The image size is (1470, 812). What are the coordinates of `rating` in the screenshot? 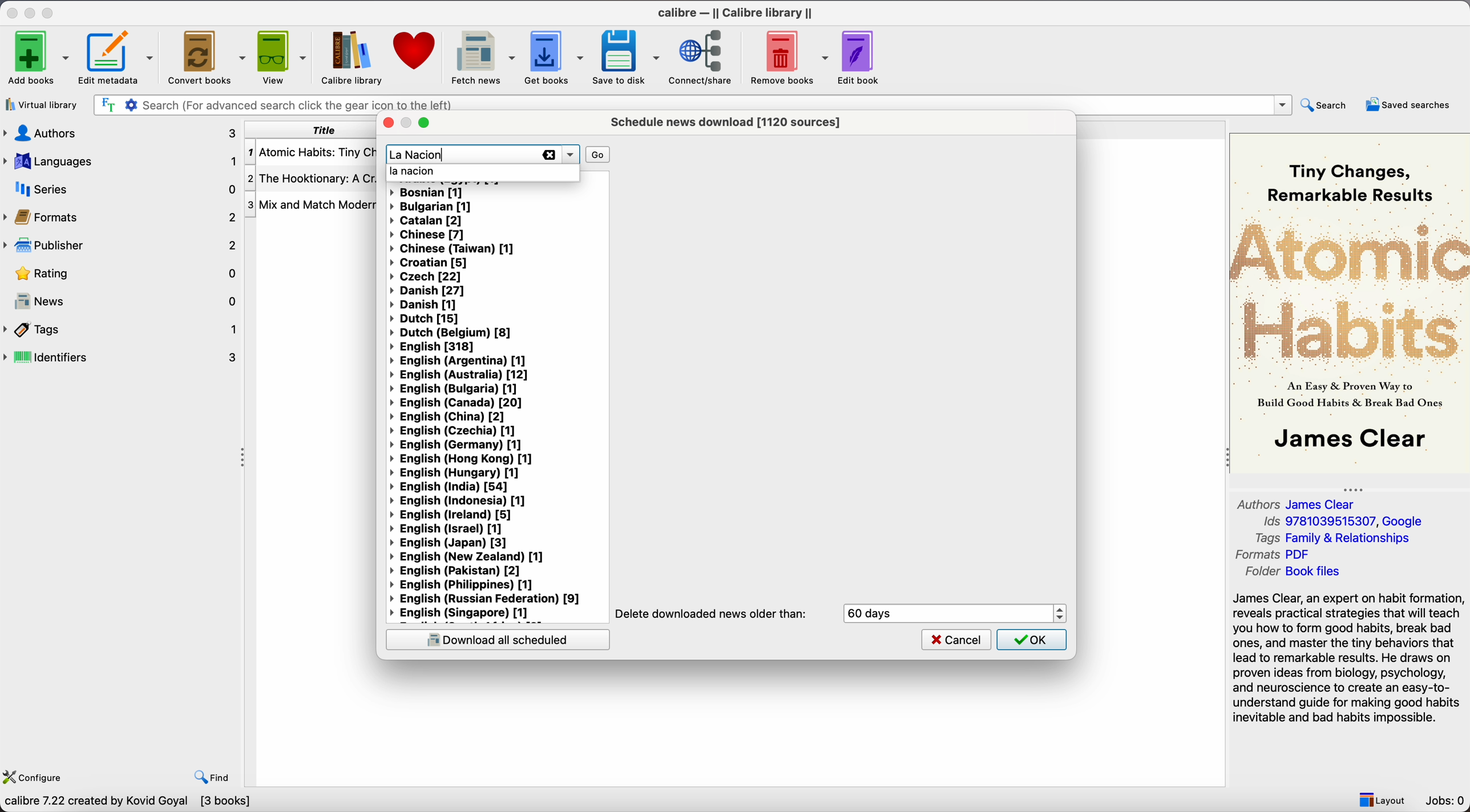 It's located at (119, 273).